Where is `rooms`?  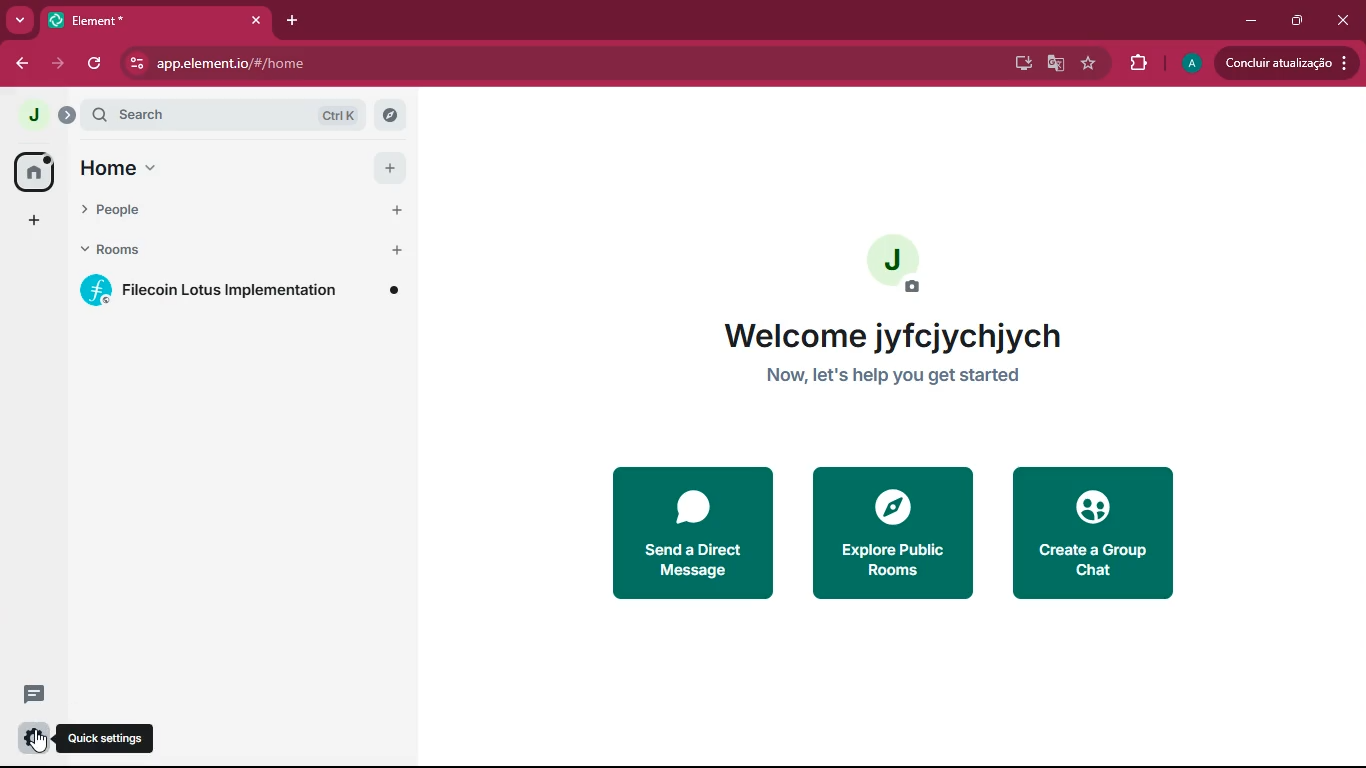
rooms is located at coordinates (240, 252).